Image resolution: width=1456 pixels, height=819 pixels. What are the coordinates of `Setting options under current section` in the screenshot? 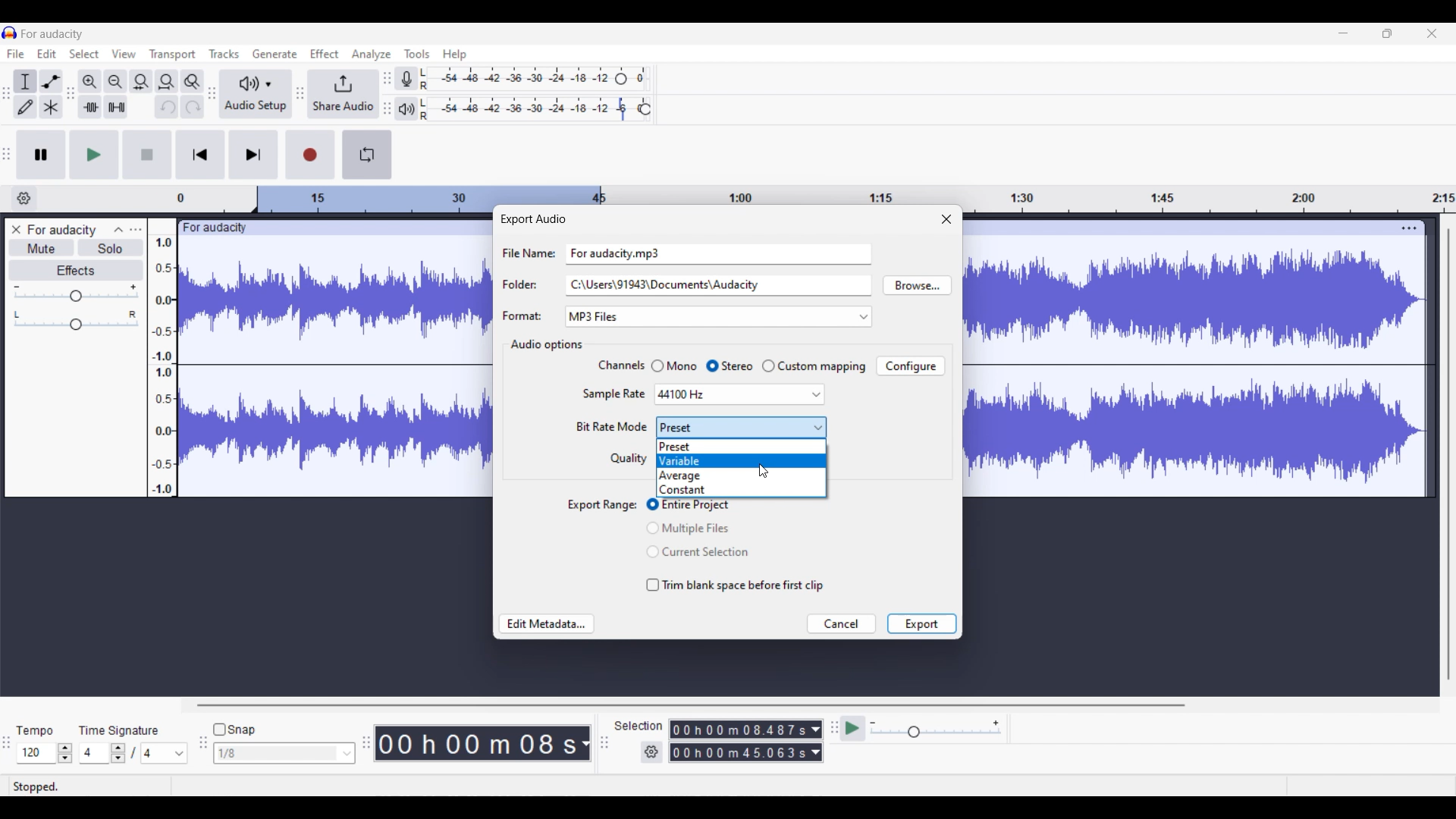 It's located at (610, 413).